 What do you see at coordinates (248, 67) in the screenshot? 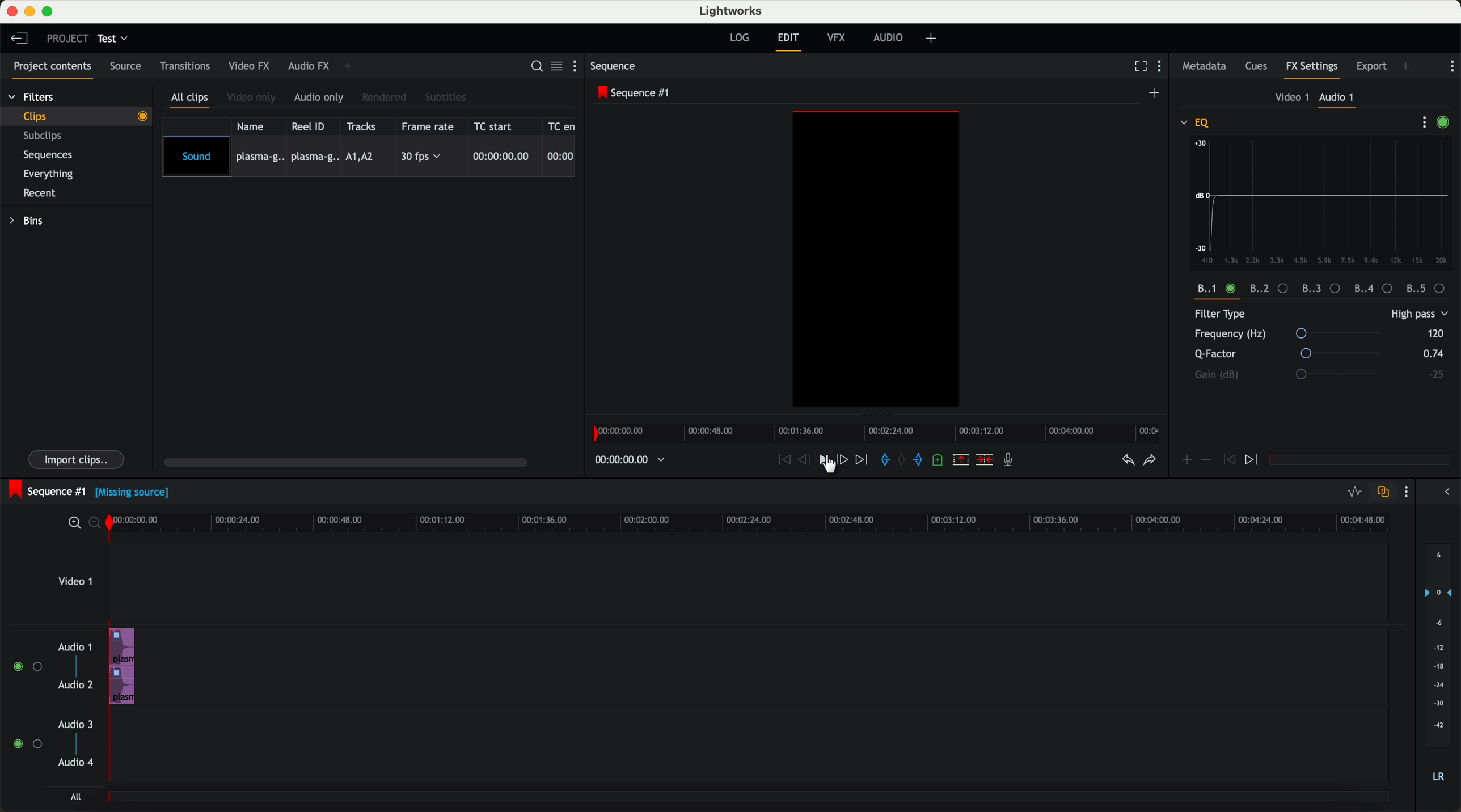
I see `video FX` at bounding box center [248, 67].